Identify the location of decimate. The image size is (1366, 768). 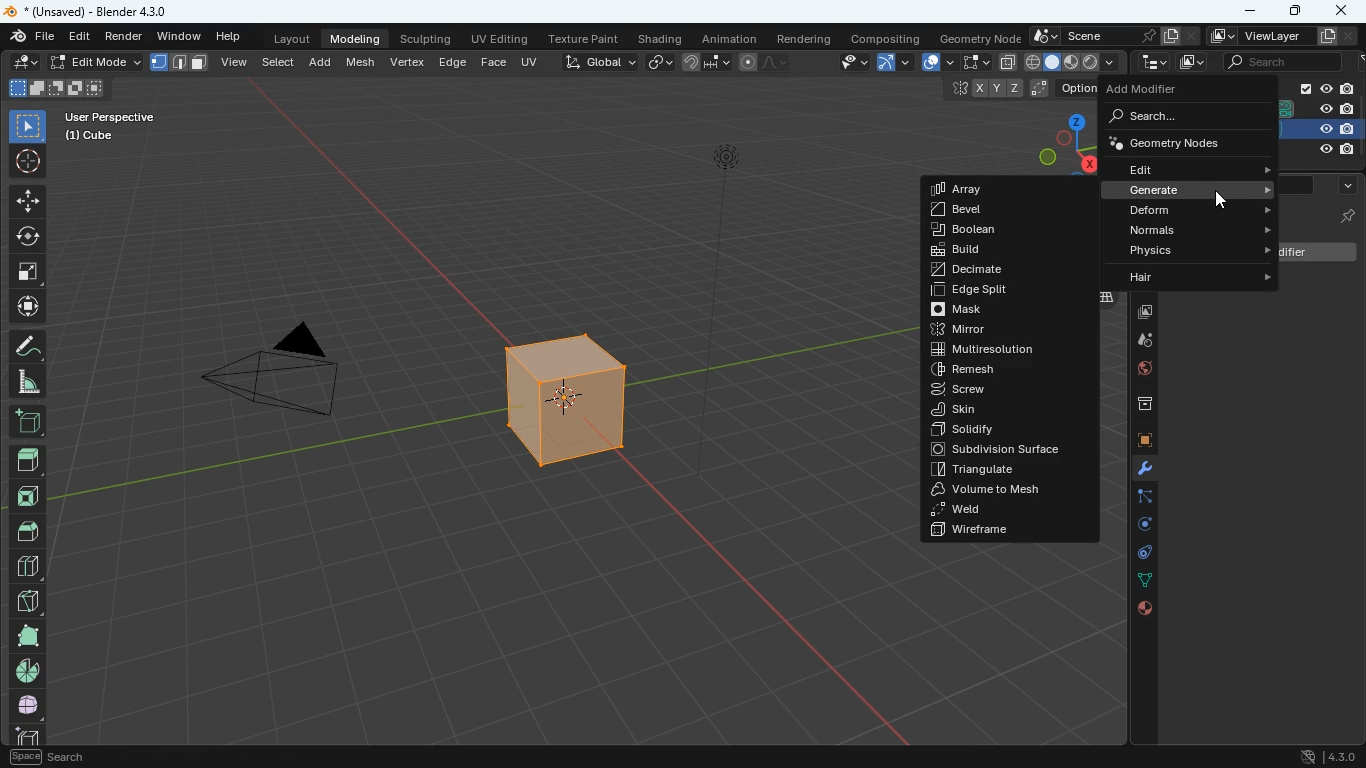
(985, 273).